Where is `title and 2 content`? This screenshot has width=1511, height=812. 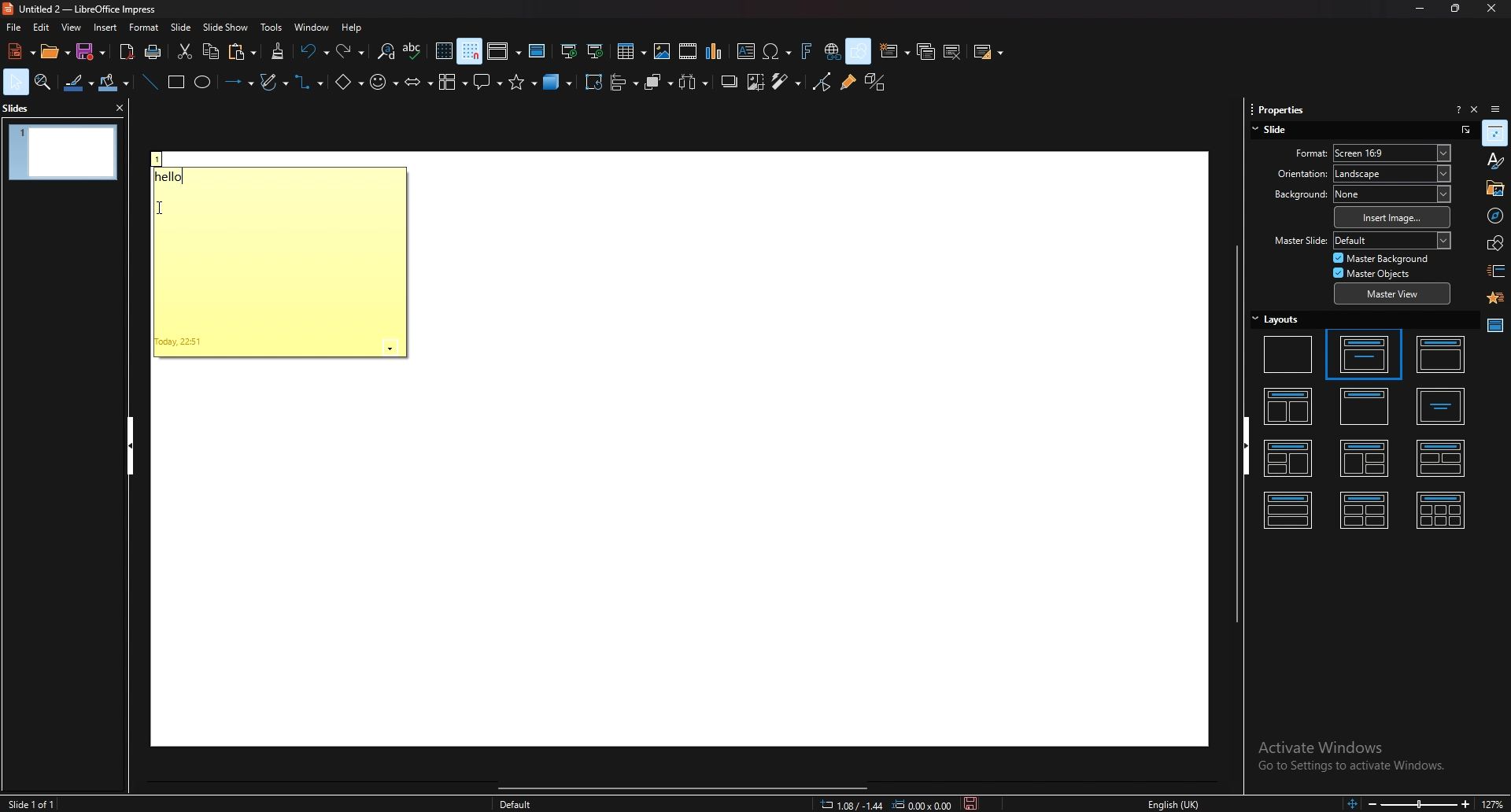
title and 2 content is located at coordinates (1292, 404).